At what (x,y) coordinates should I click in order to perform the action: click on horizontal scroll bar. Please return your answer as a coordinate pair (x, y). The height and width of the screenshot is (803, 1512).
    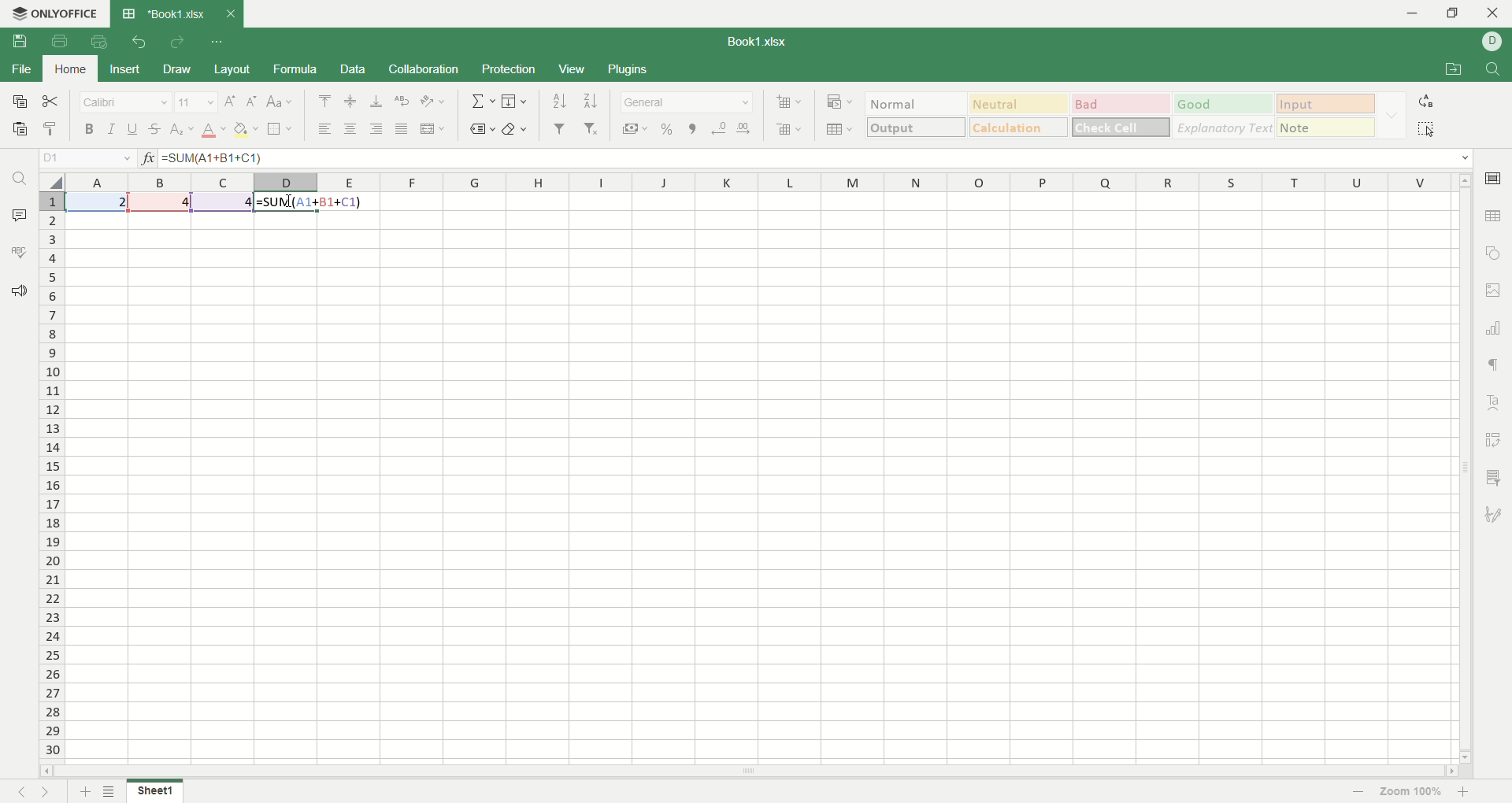
    Looking at the image, I should click on (750, 772).